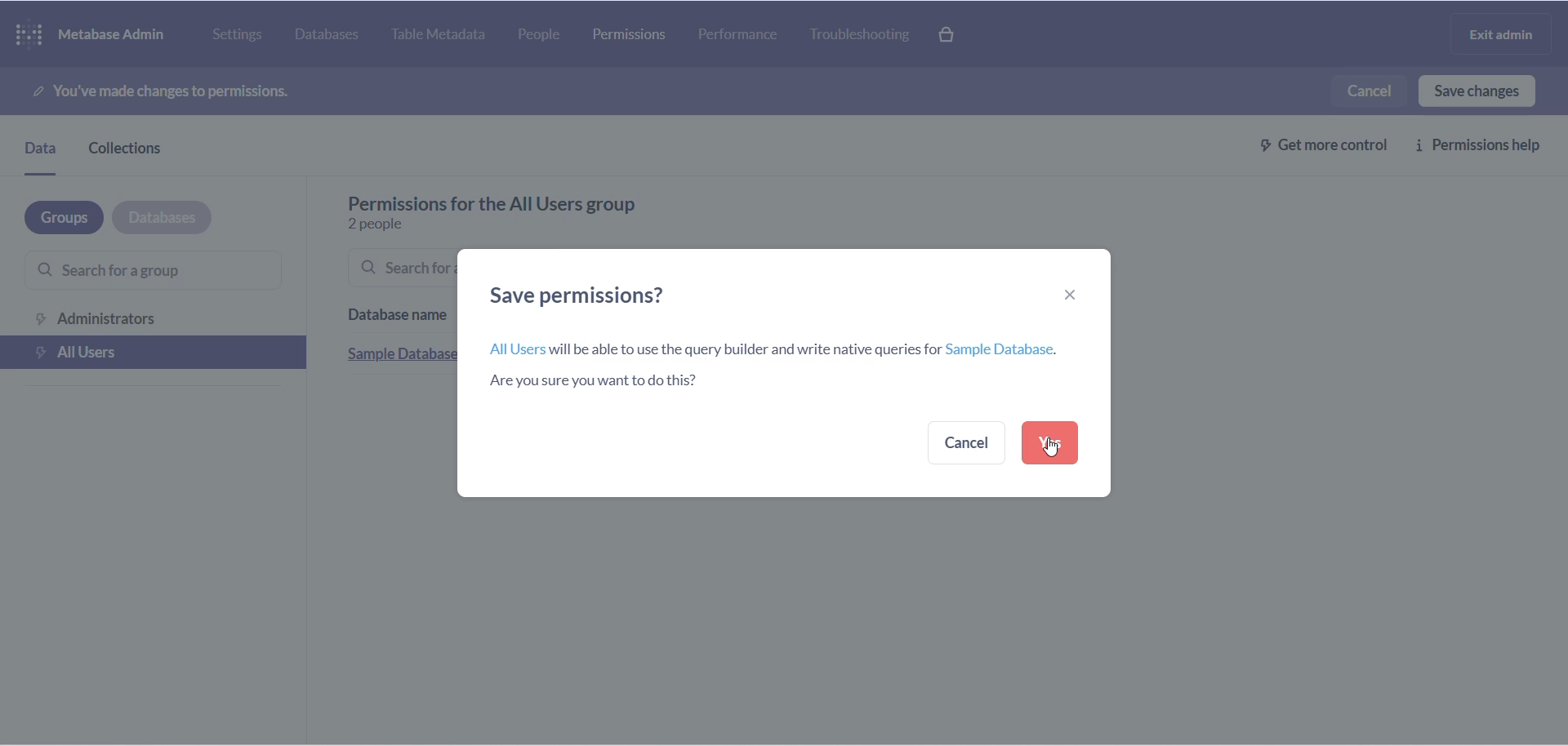 Image resolution: width=1568 pixels, height=746 pixels. Describe the element at coordinates (55, 217) in the screenshot. I see `groups` at that location.